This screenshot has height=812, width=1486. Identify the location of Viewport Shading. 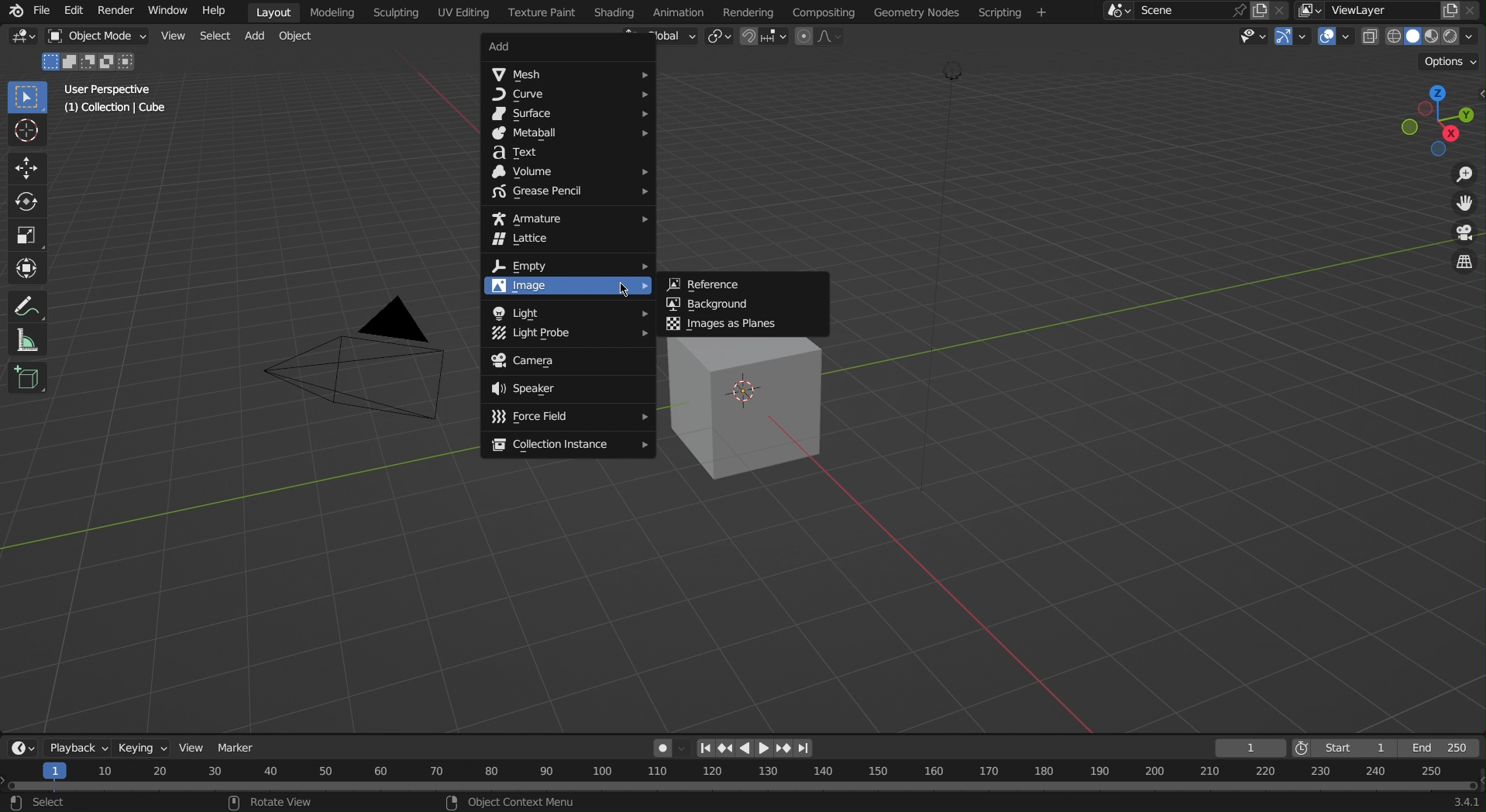
(1422, 36).